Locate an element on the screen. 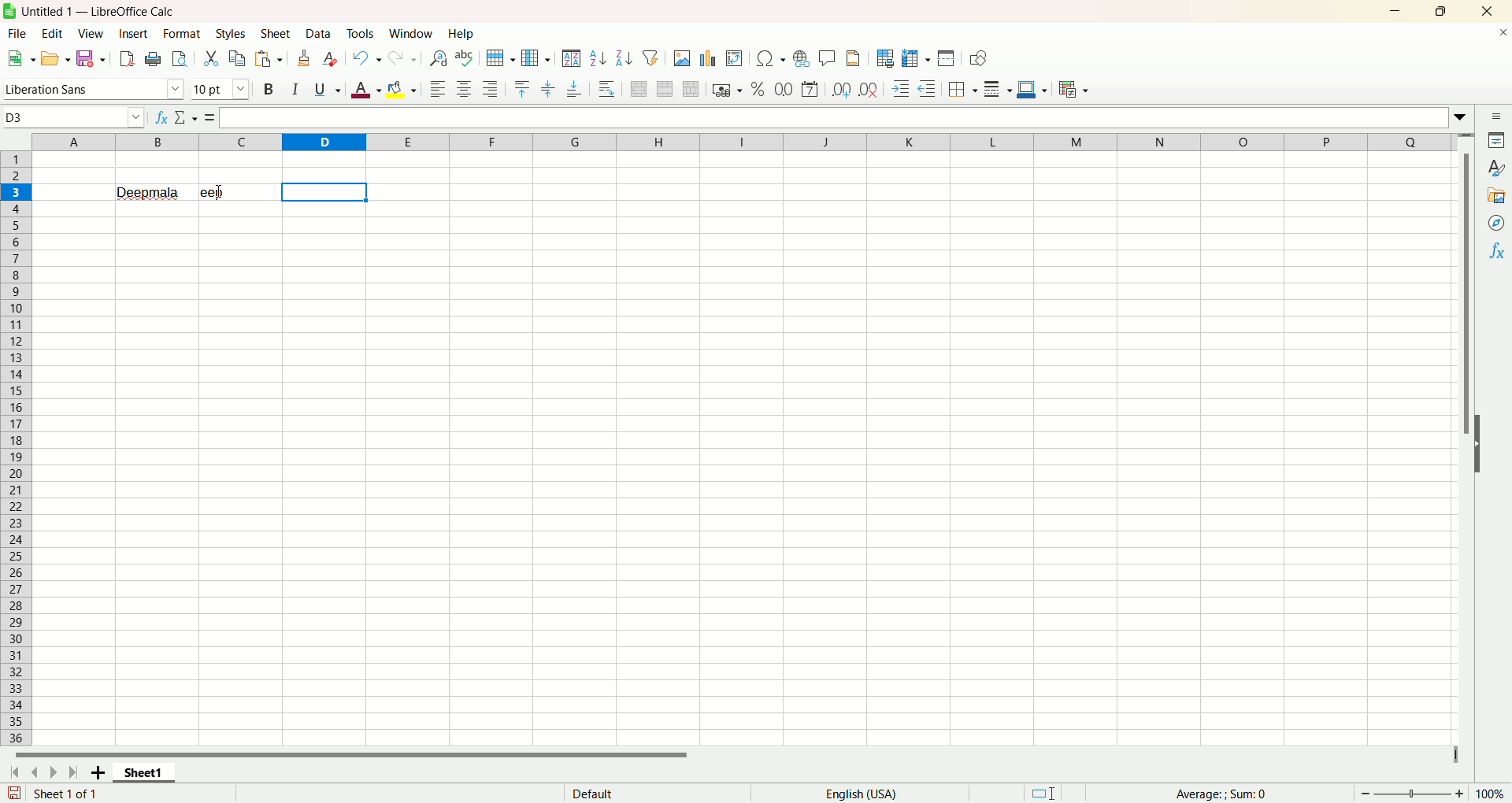  Sort ascending is located at coordinates (598, 58).